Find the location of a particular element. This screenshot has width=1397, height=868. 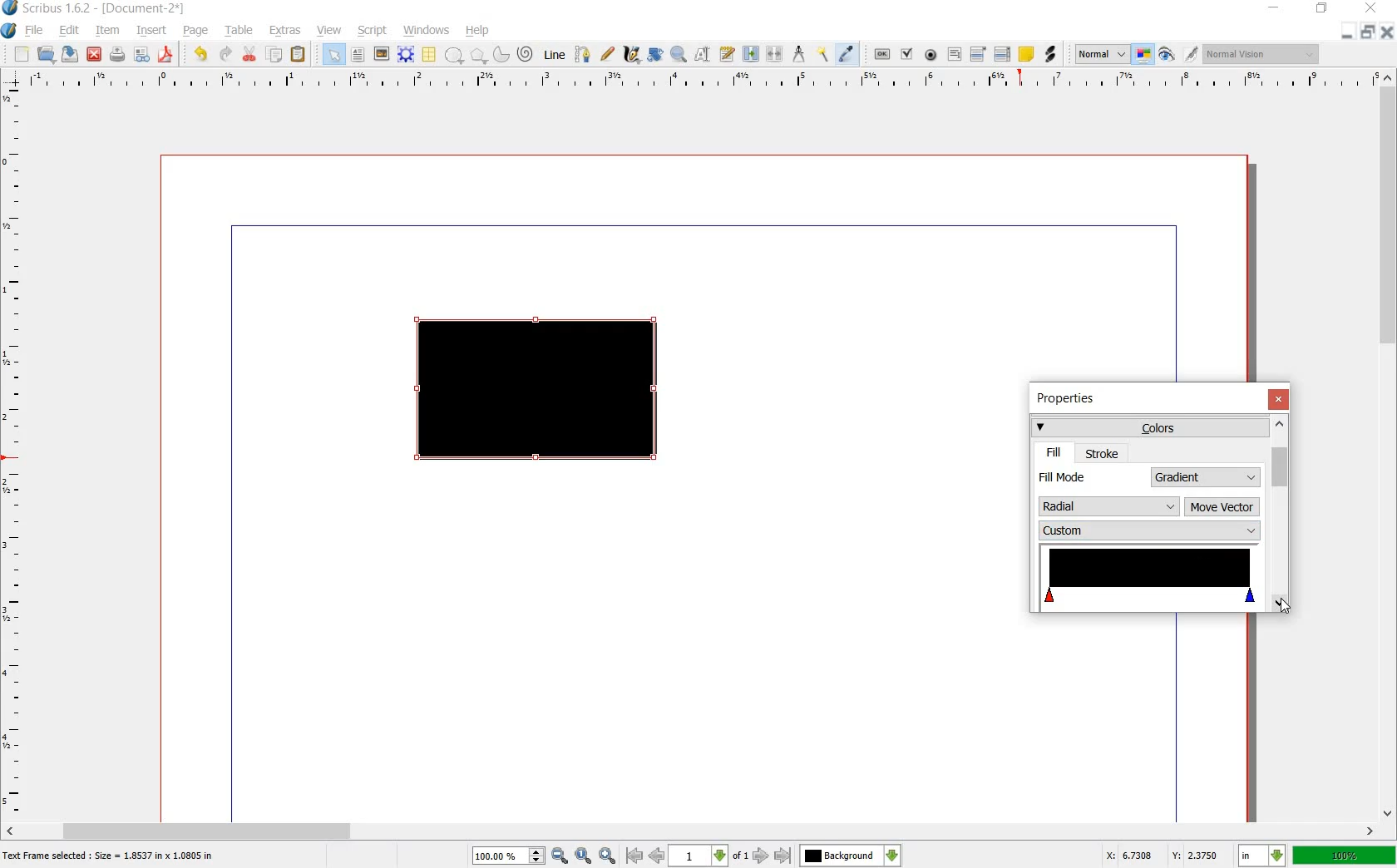

normal vision is located at coordinates (1264, 53).